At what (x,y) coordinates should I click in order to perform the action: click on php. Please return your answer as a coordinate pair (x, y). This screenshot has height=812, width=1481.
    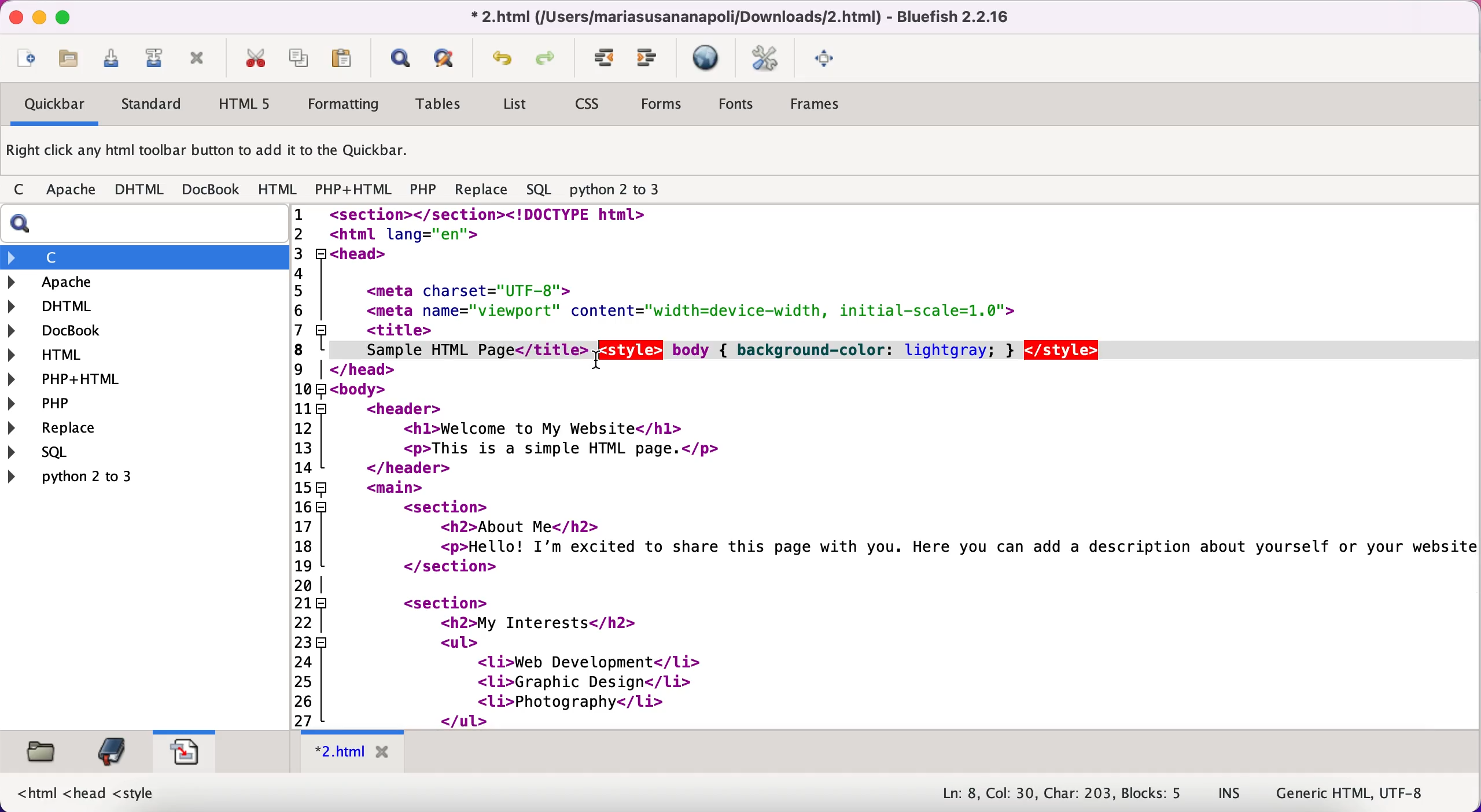
    Looking at the image, I should click on (423, 191).